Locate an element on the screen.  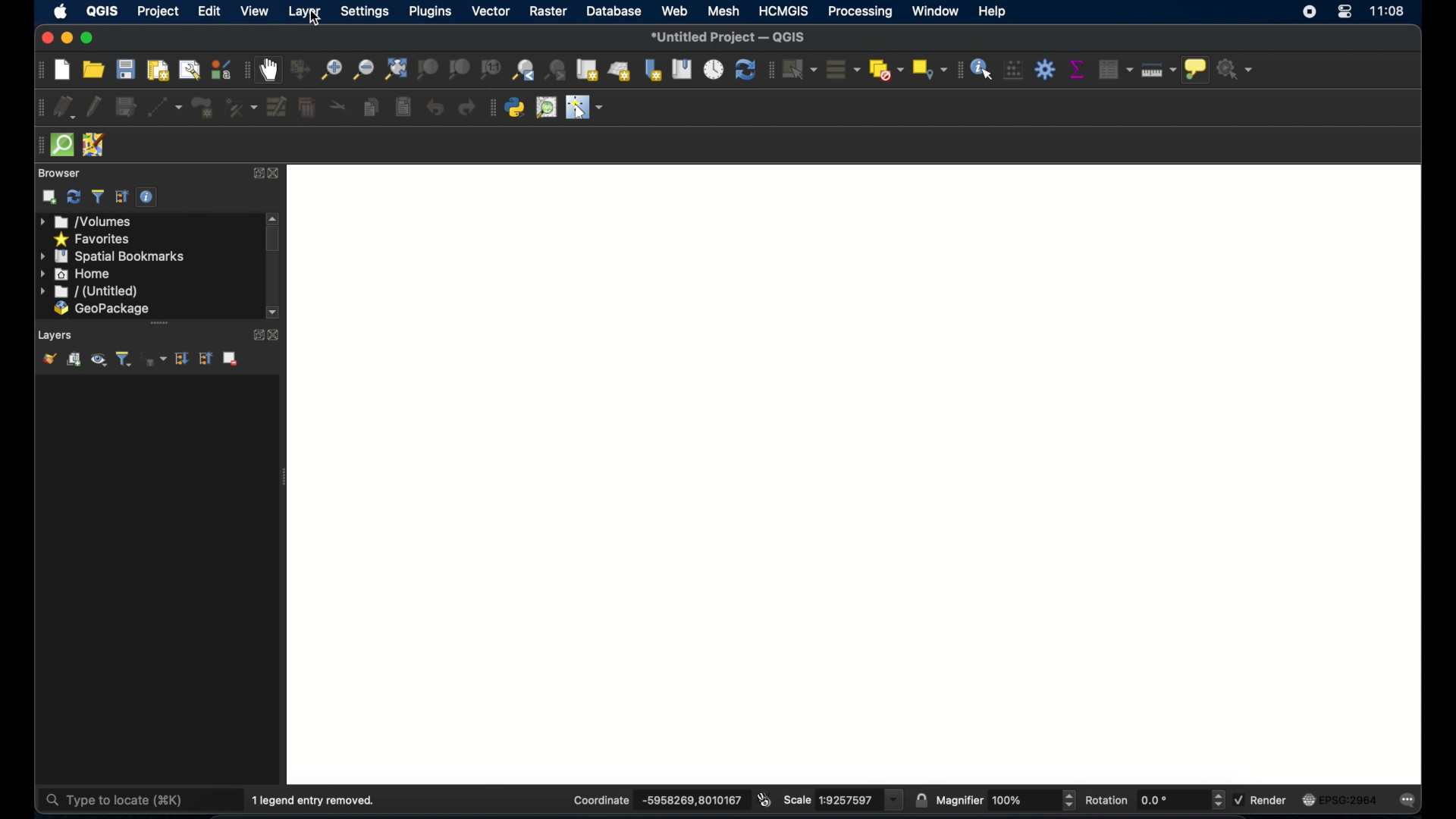
toggle editing is located at coordinates (95, 105).